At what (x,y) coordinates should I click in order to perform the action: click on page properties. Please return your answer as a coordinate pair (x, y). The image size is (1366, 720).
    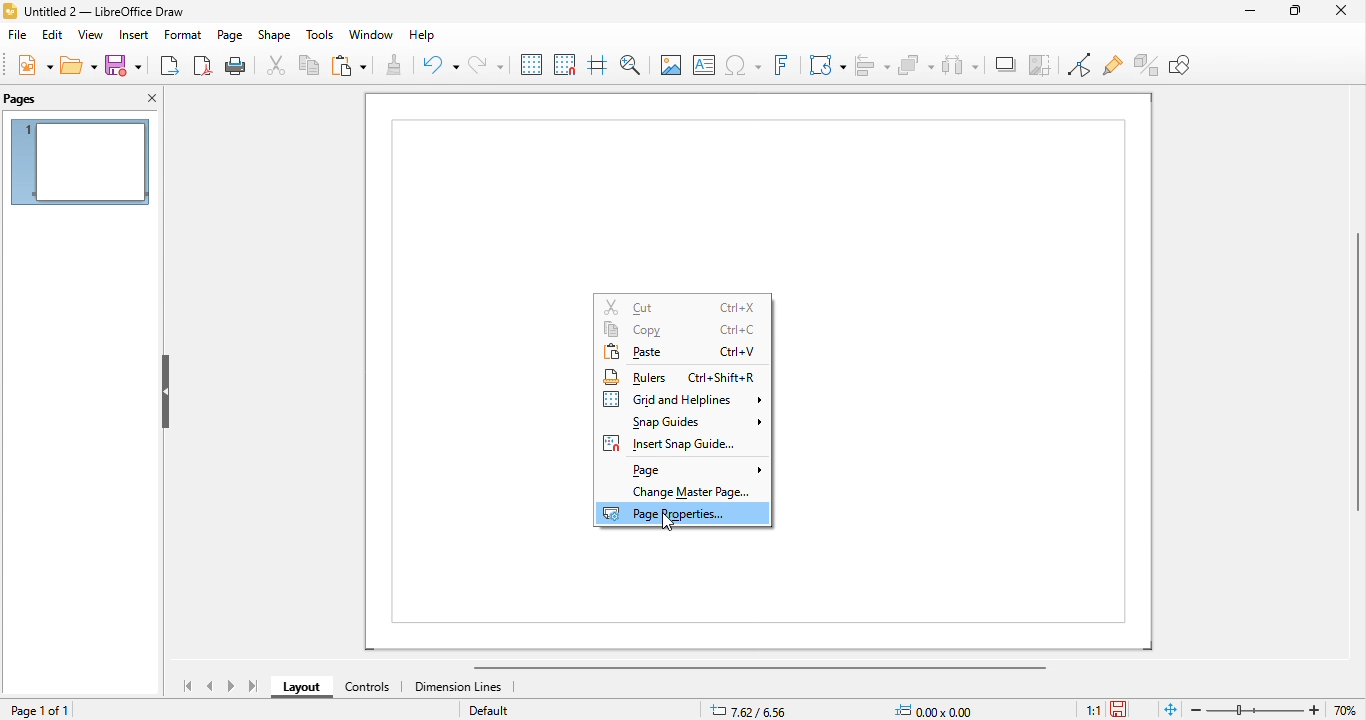
    Looking at the image, I should click on (680, 514).